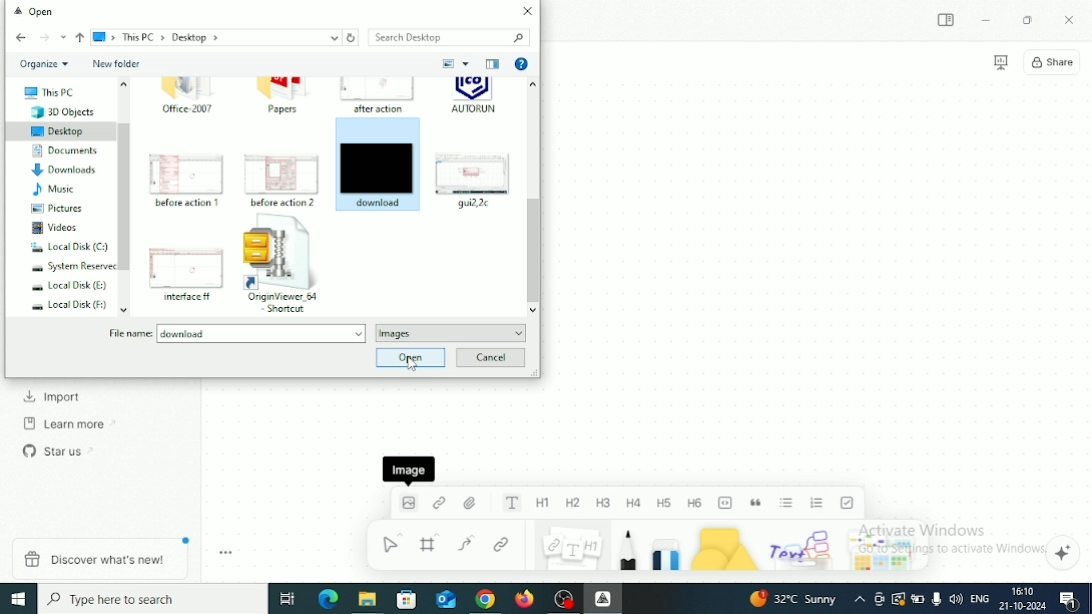 The height and width of the screenshot is (614, 1092). I want to click on Firefox, so click(526, 600).